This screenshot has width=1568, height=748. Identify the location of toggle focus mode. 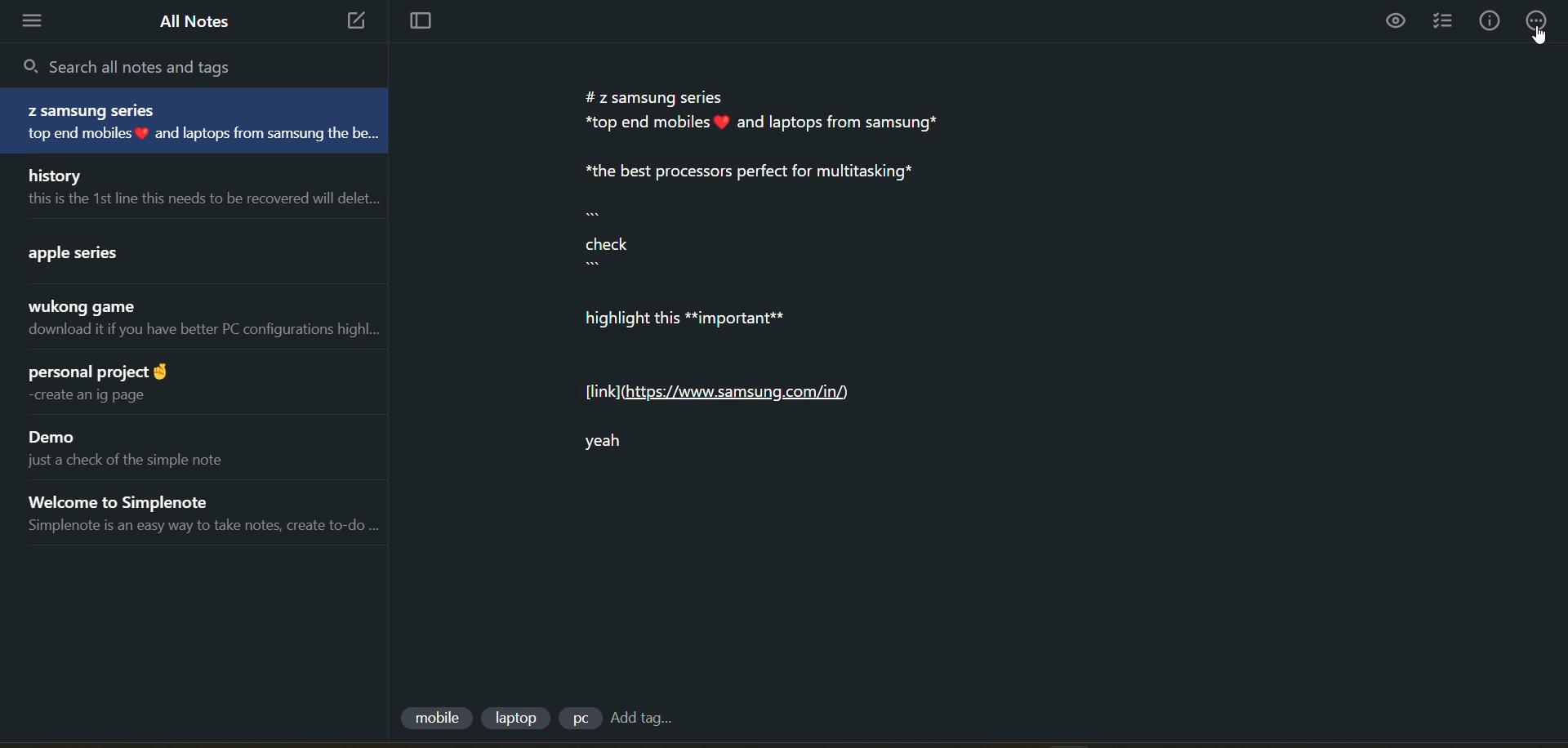
(414, 23).